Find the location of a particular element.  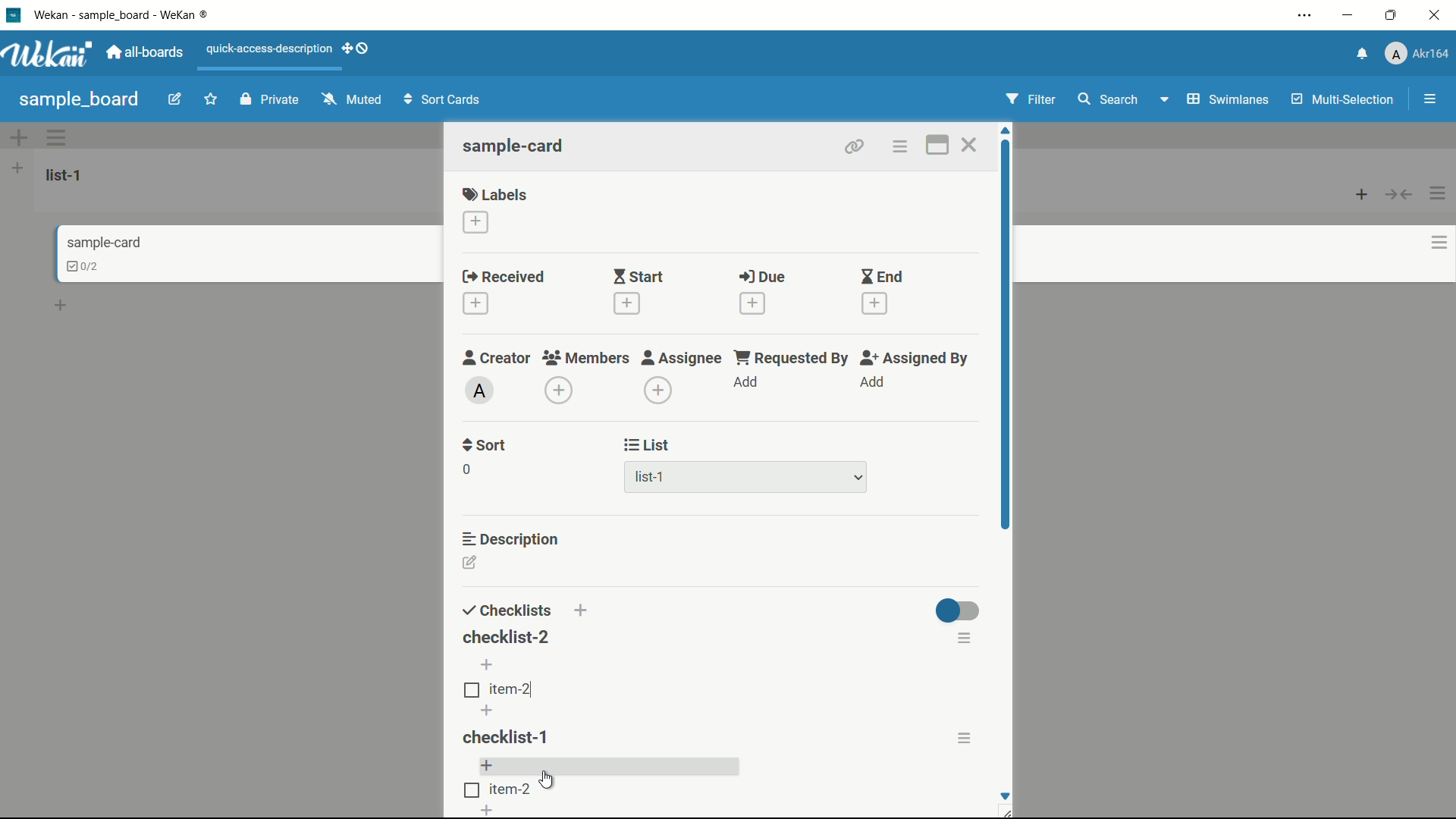

add assignee is located at coordinates (659, 391).